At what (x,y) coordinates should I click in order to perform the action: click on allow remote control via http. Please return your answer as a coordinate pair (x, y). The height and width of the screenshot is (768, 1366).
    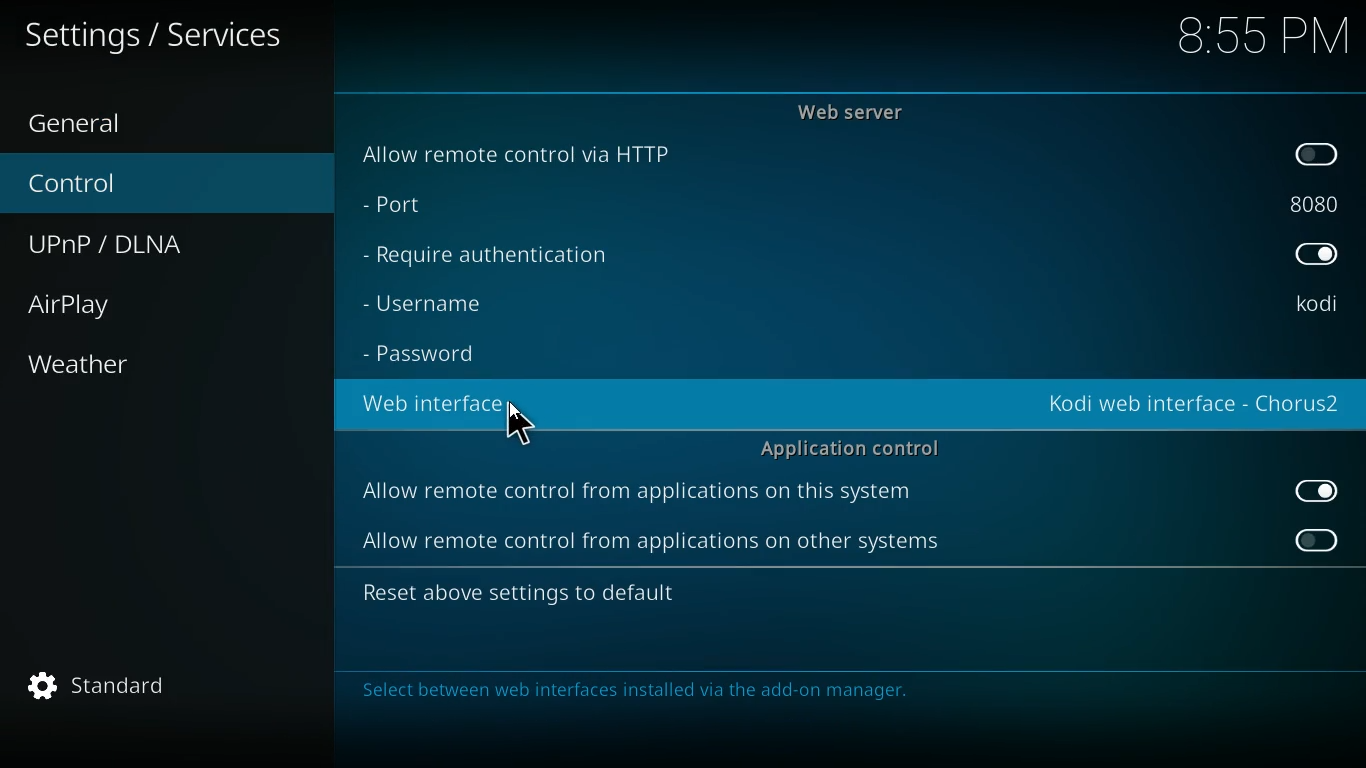
    Looking at the image, I should click on (529, 153).